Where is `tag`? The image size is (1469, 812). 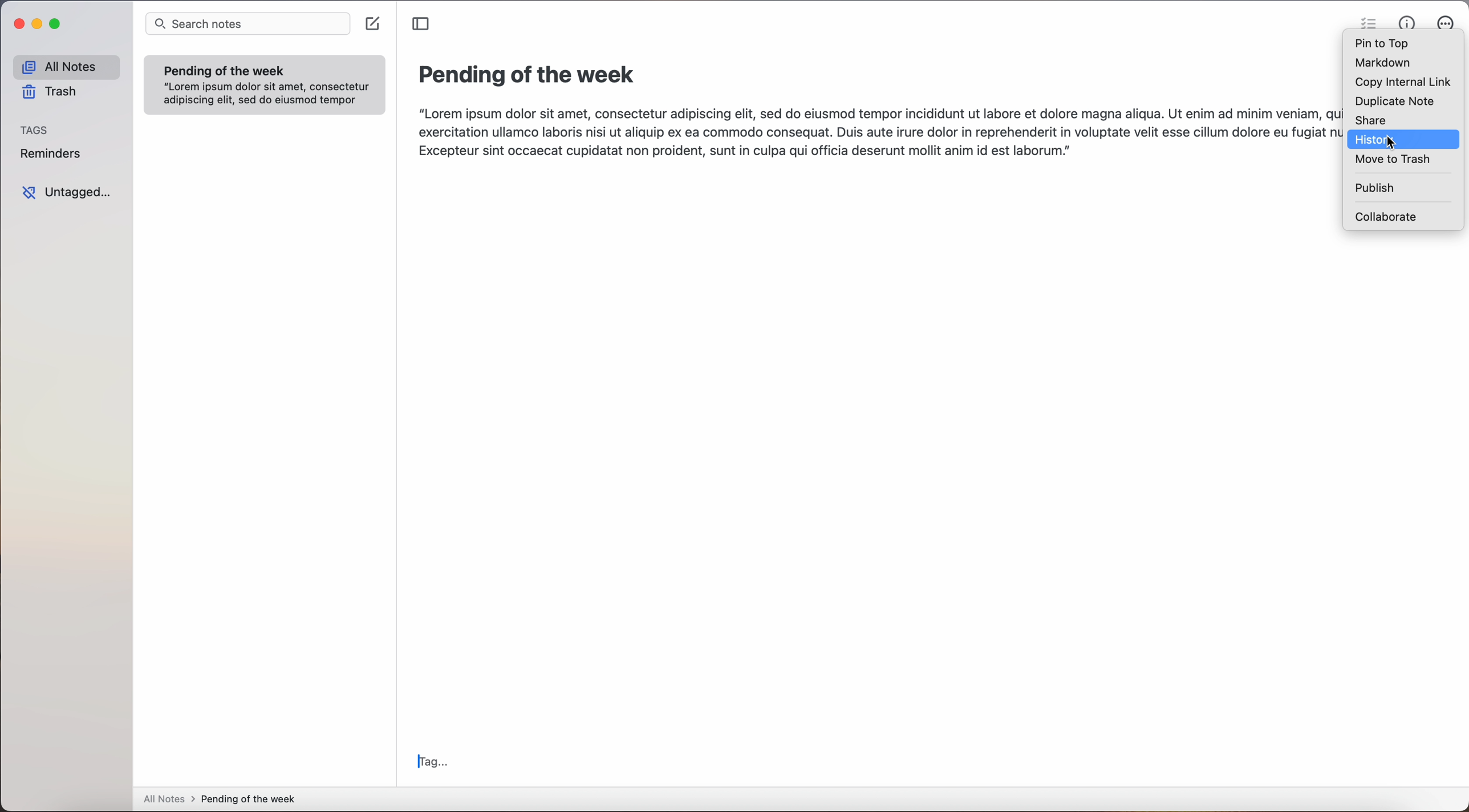 tag is located at coordinates (435, 763).